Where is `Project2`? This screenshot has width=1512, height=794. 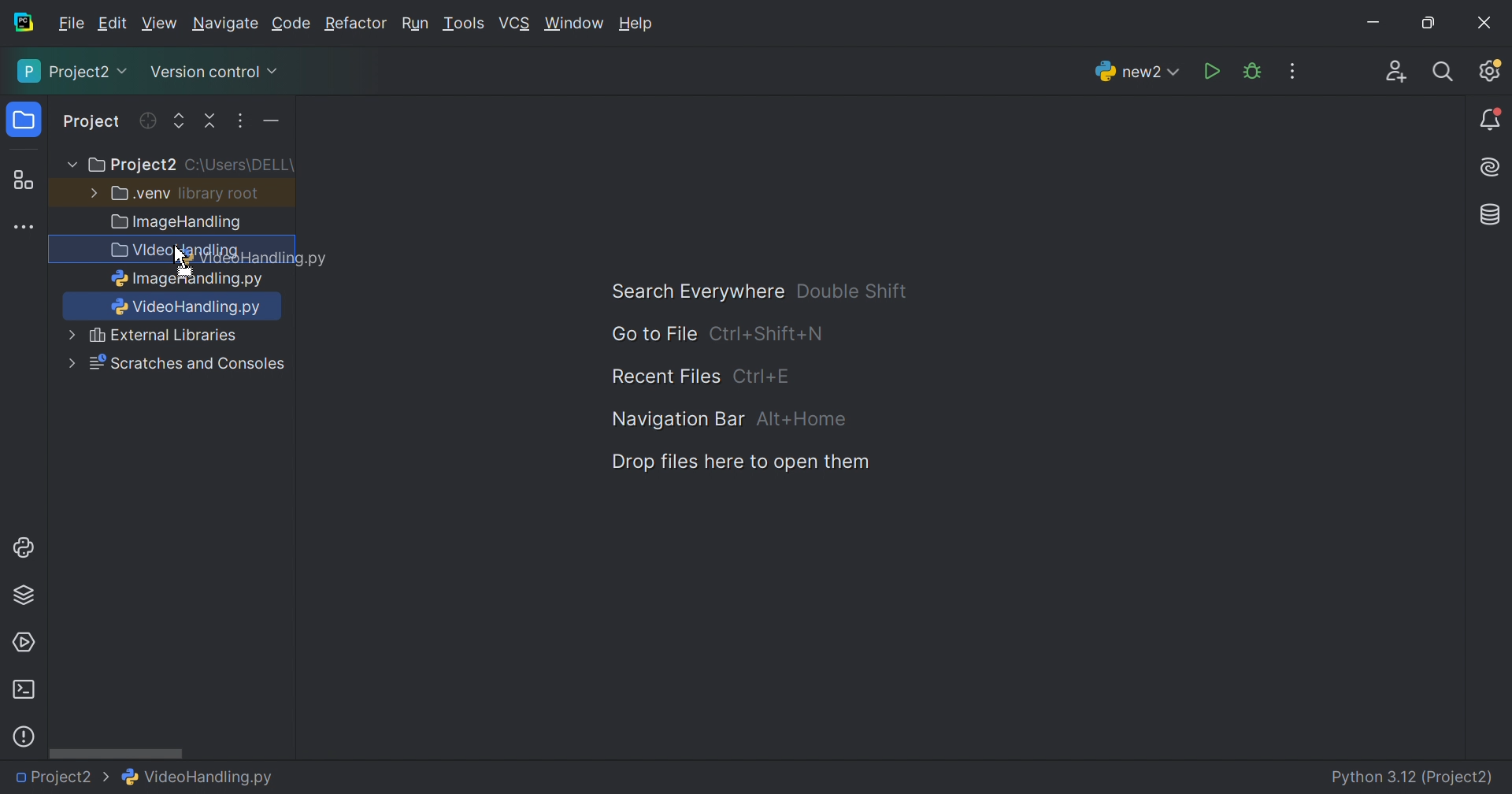
Project2 is located at coordinates (62, 777).